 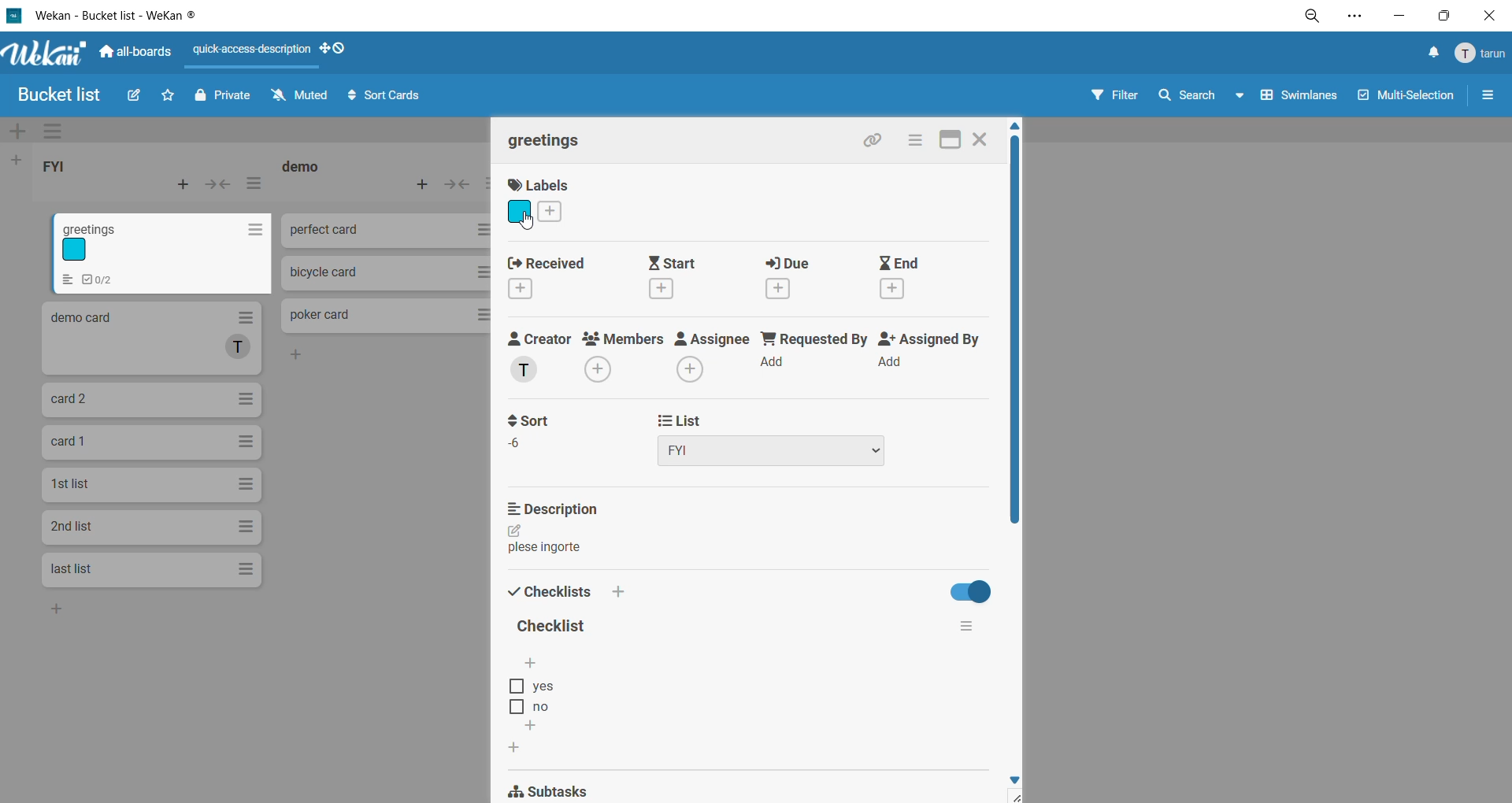 I want to click on collapse, so click(x=458, y=187).